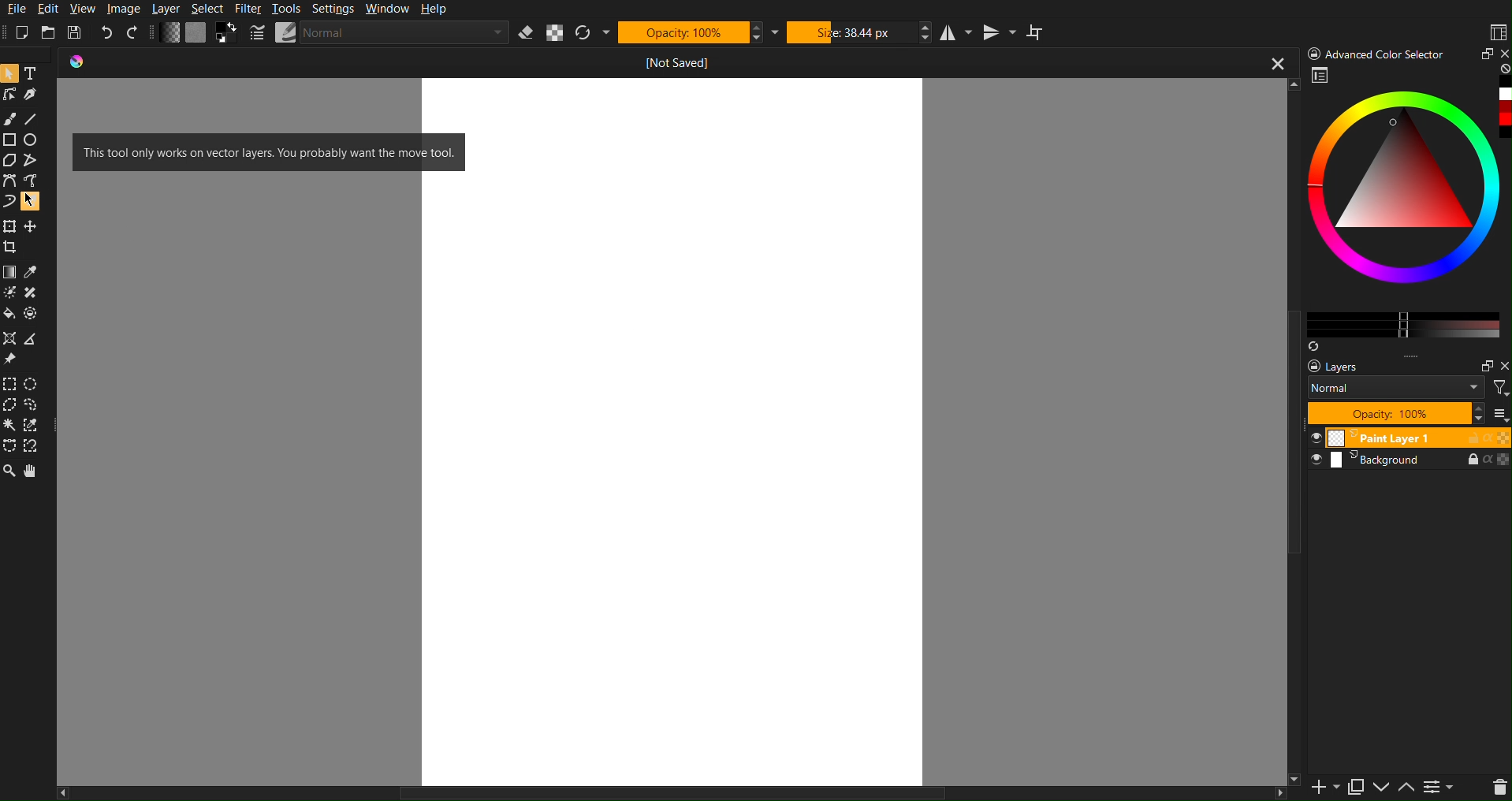 This screenshot has width=1512, height=801. Describe the element at coordinates (53, 9) in the screenshot. I see `Edit` at that location.